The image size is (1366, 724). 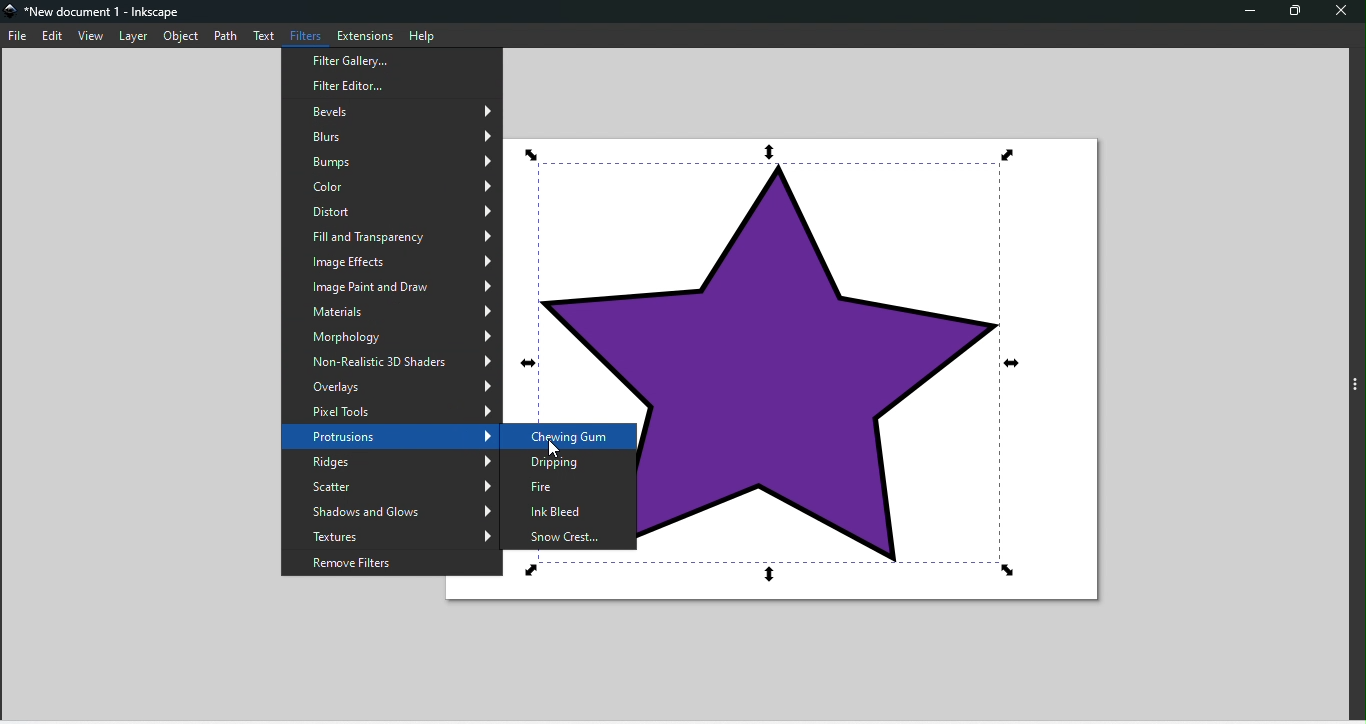 What do you see at coordinates (393, 408) in the screenshot?
I see `Pixel tools` at bounding box center [393, 408].